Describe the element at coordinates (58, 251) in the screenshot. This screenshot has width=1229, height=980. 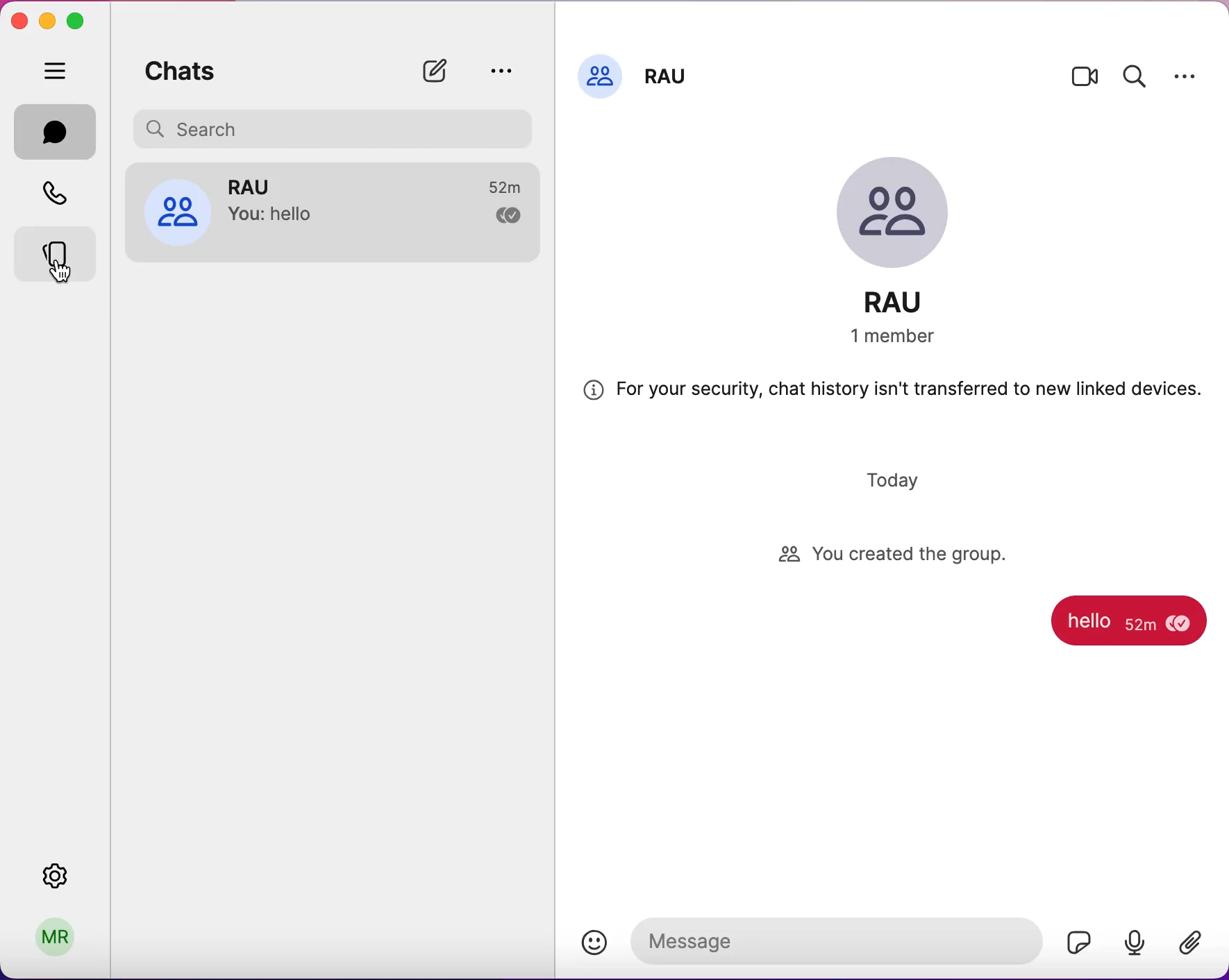
I see `stories` at that location.